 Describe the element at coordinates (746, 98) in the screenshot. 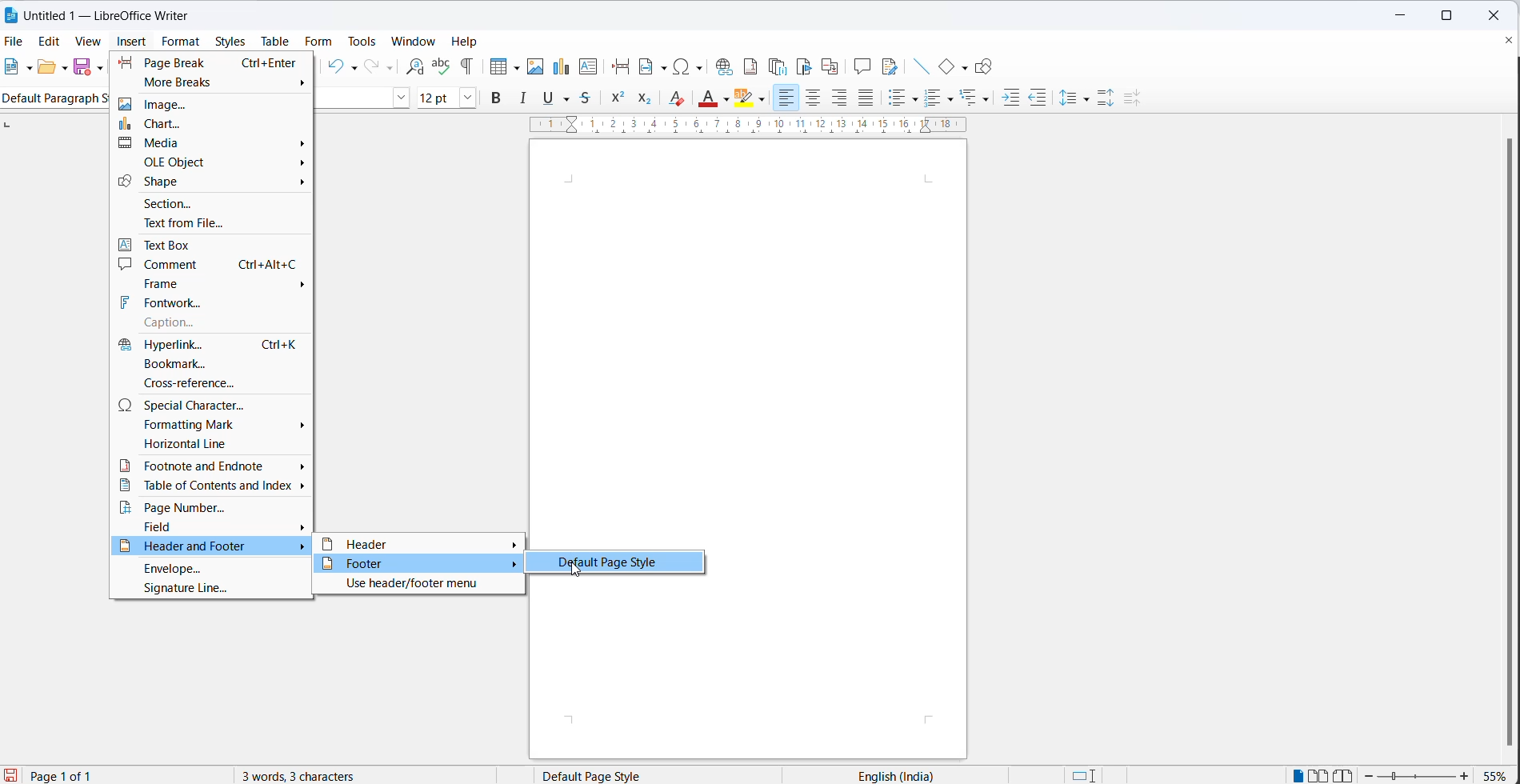

I see `character highlighting icon` at that location.